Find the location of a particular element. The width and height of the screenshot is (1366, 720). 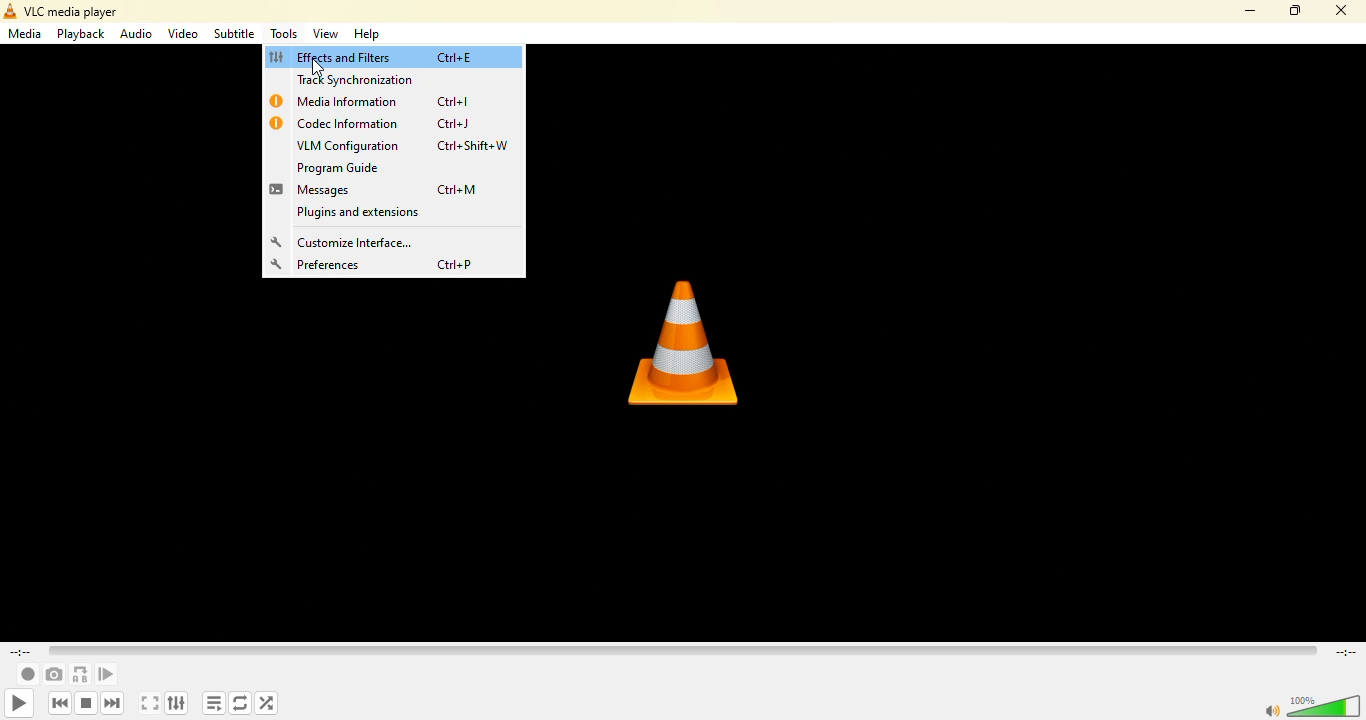

ctrl+l is located at coordinates (462, 102).